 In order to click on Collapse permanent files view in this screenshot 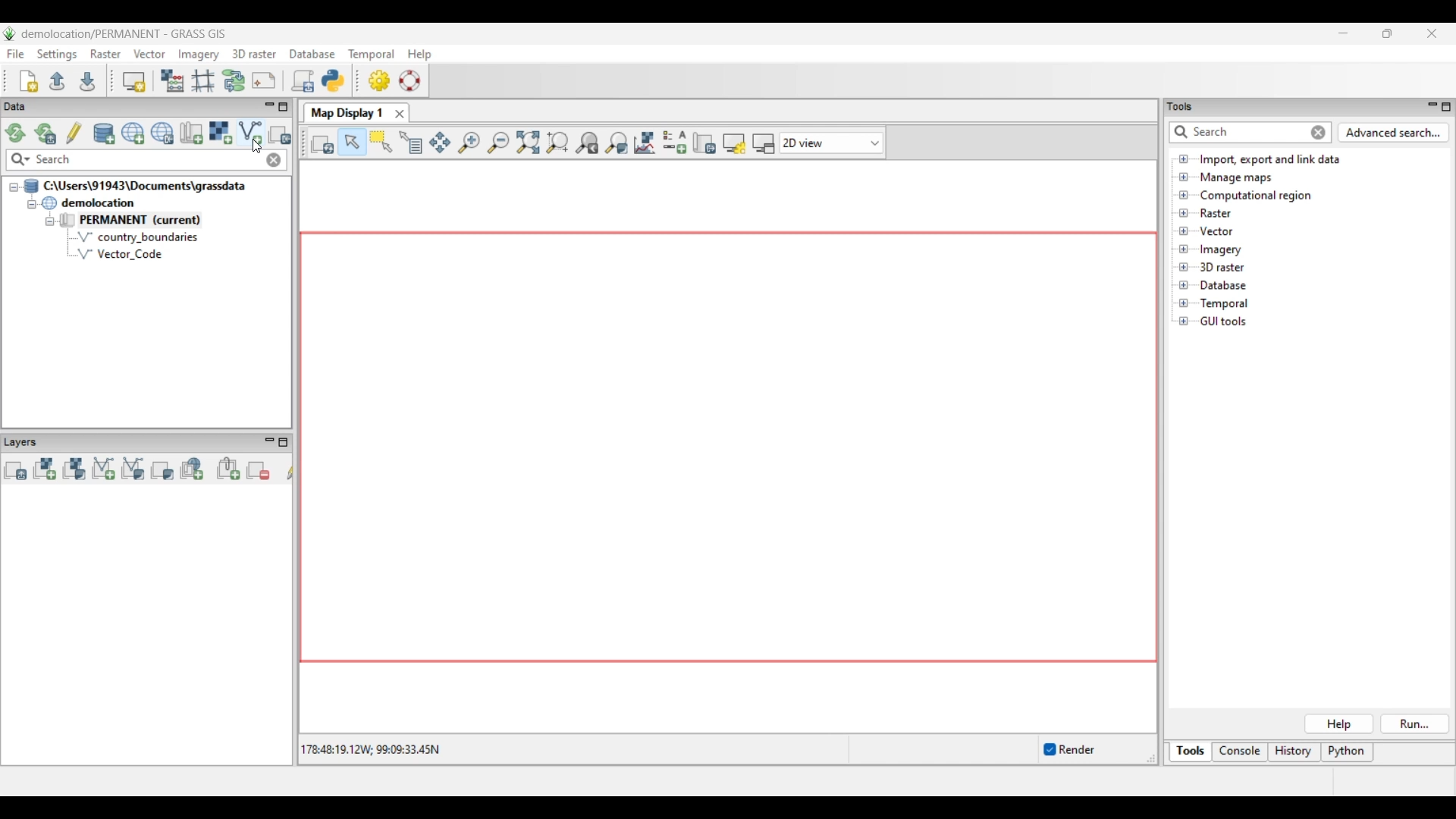, I will do `click(50, 221)`.